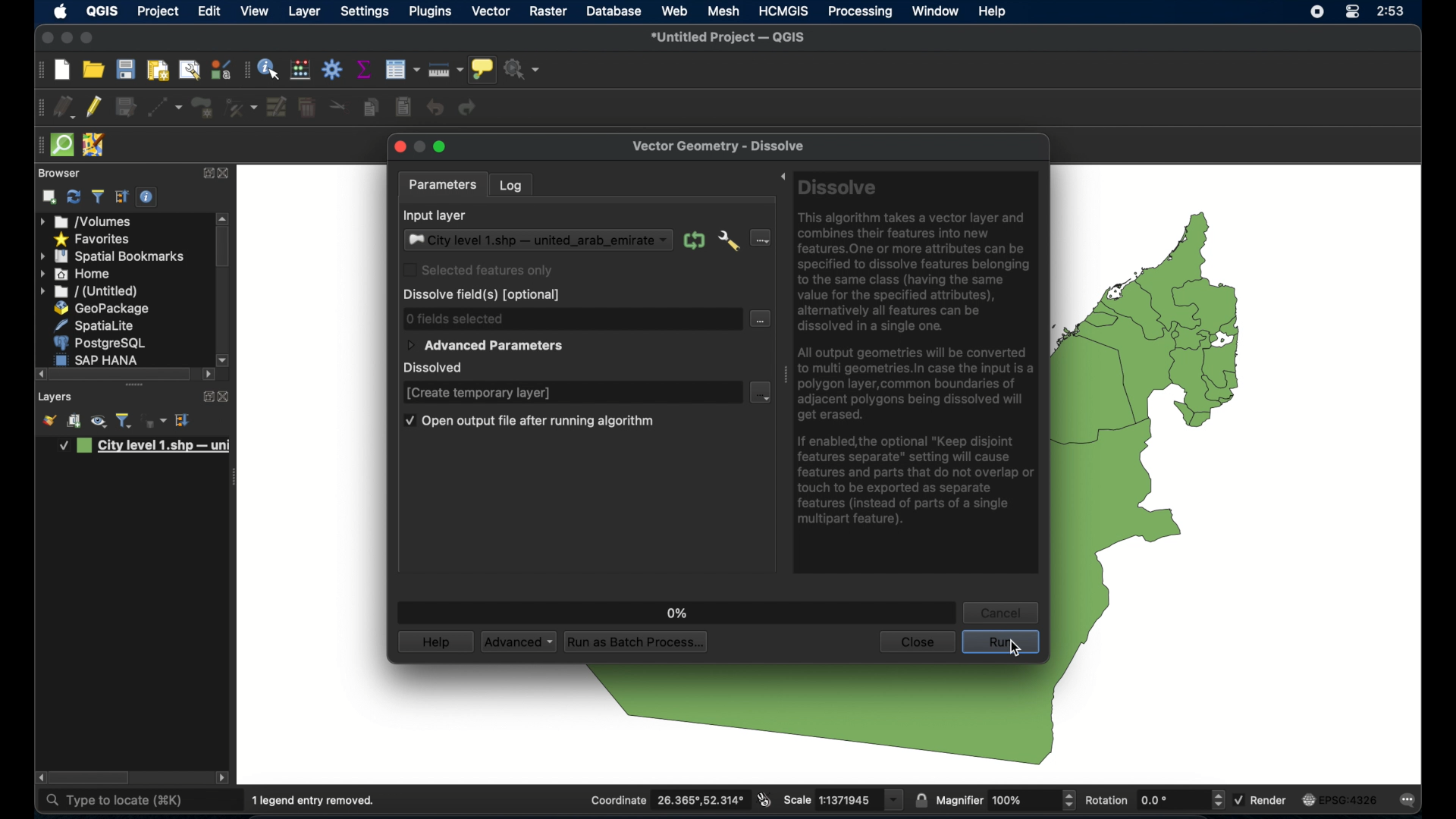 The height and width of the screenshot is (819, 1456). What do you see at coordinates (760, 237) in the screenshot?
I see `input layer dropdown menu` at bounding box center [760, 237].